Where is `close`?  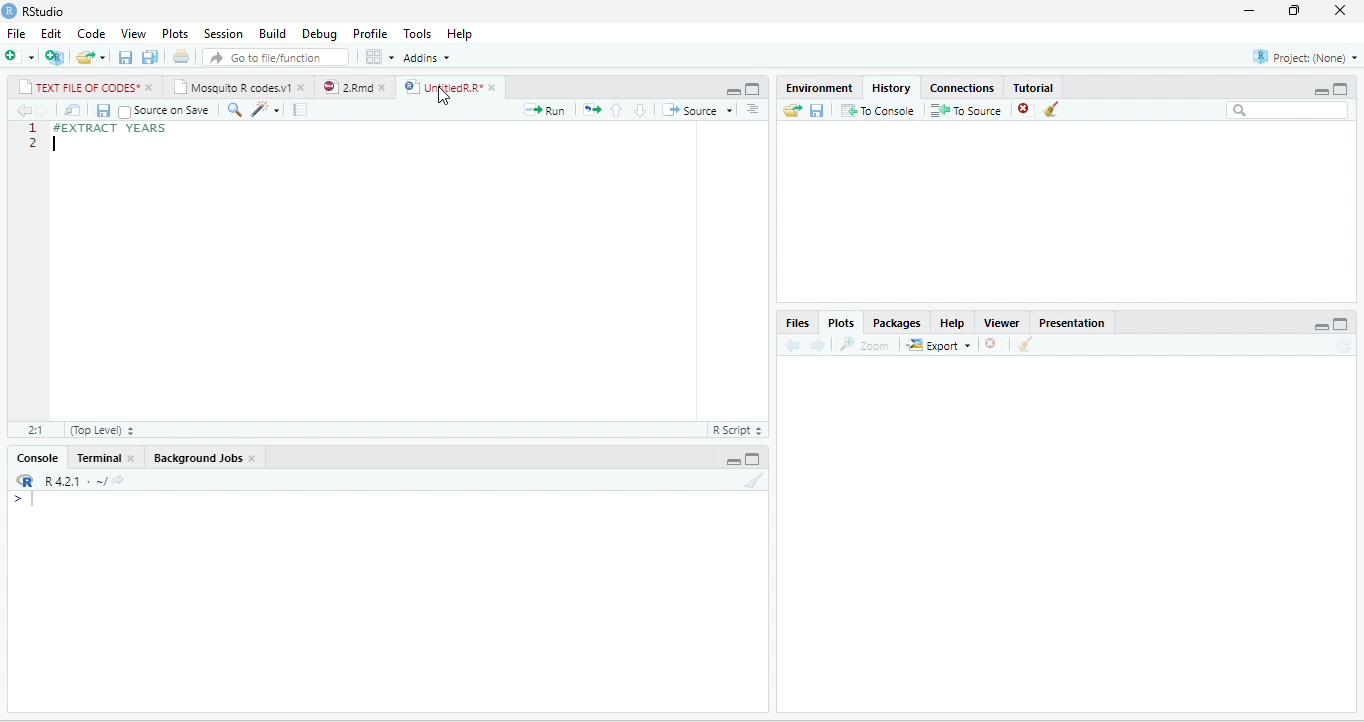
close is located at coordinates (494, 88).